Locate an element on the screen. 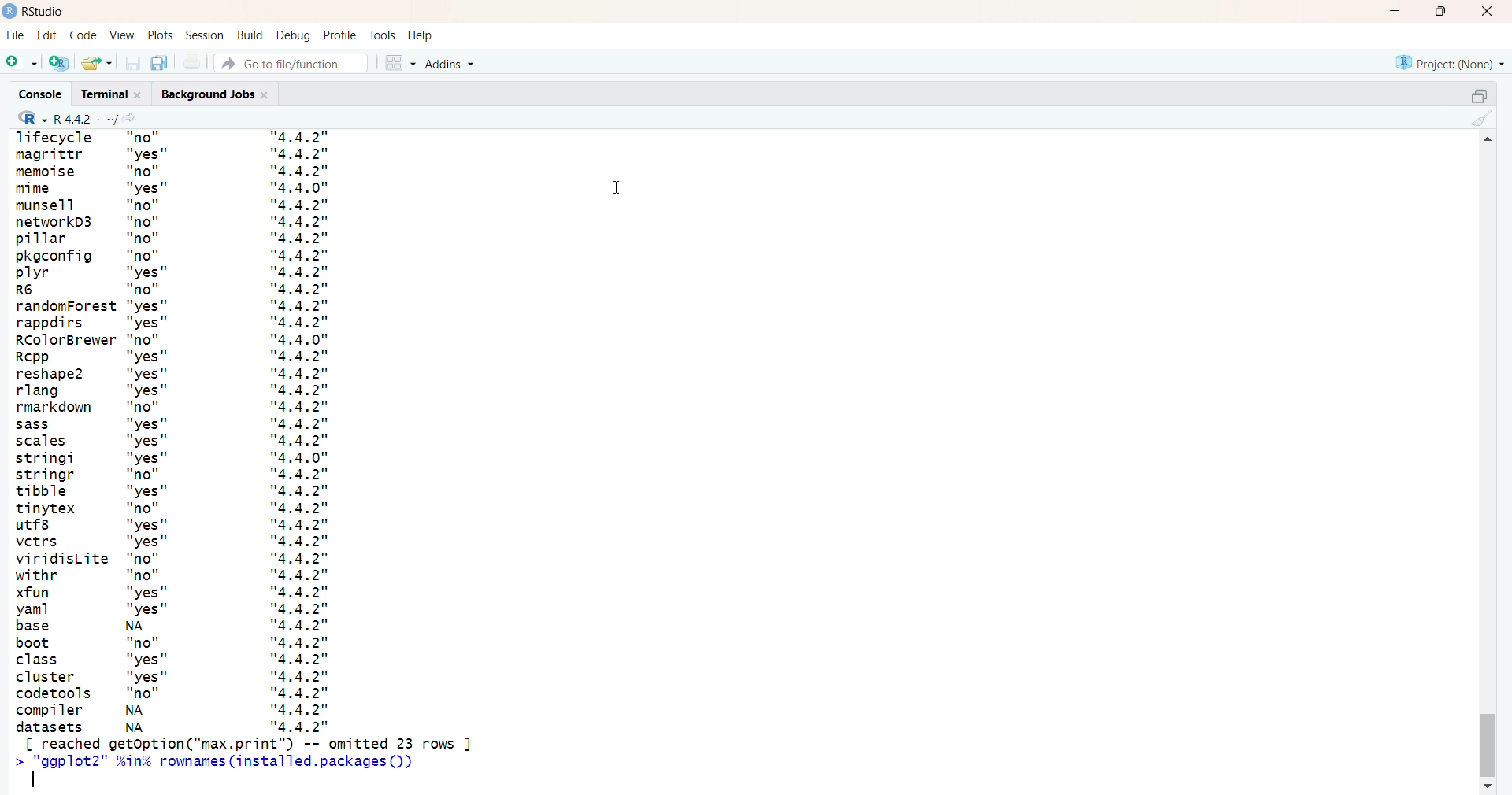 Image resolution: width=1512 pixels, height=795 pixels. clear console is located at coordinates (1480, 120).